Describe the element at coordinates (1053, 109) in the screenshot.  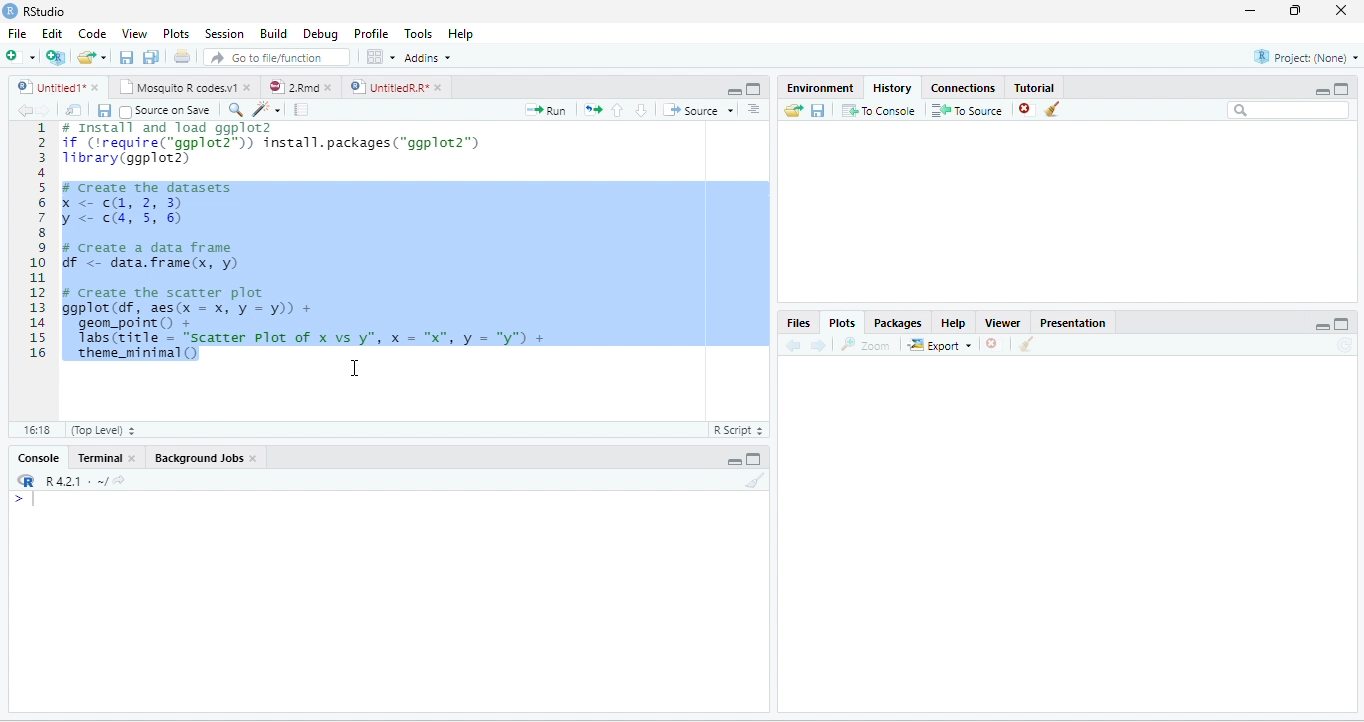
I see `Clear all history entries` at that location.